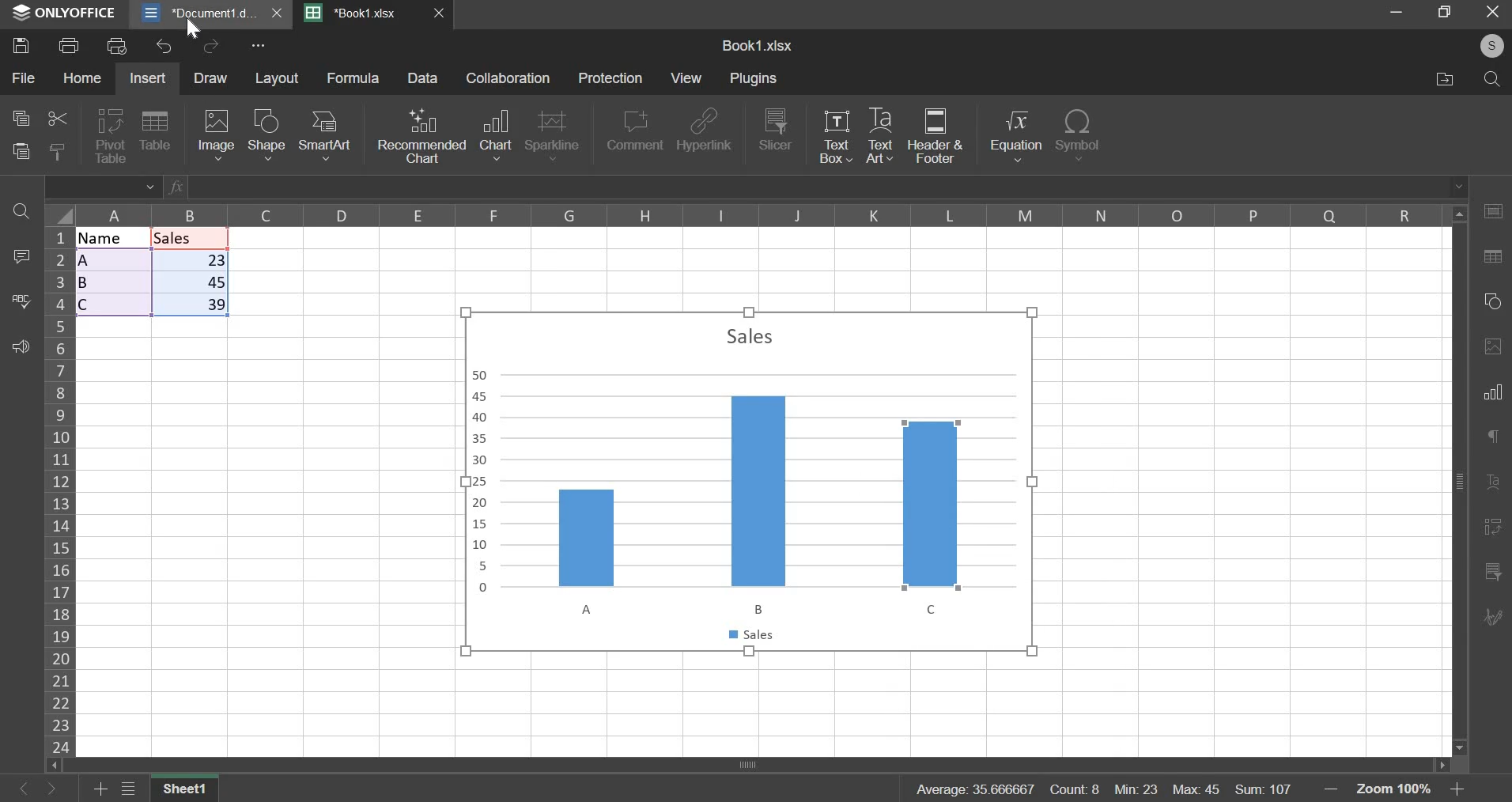 Image resolution: width=1512 pixels, height=802 pixels. I want to click on Comment Tool, so click(1492, 435).